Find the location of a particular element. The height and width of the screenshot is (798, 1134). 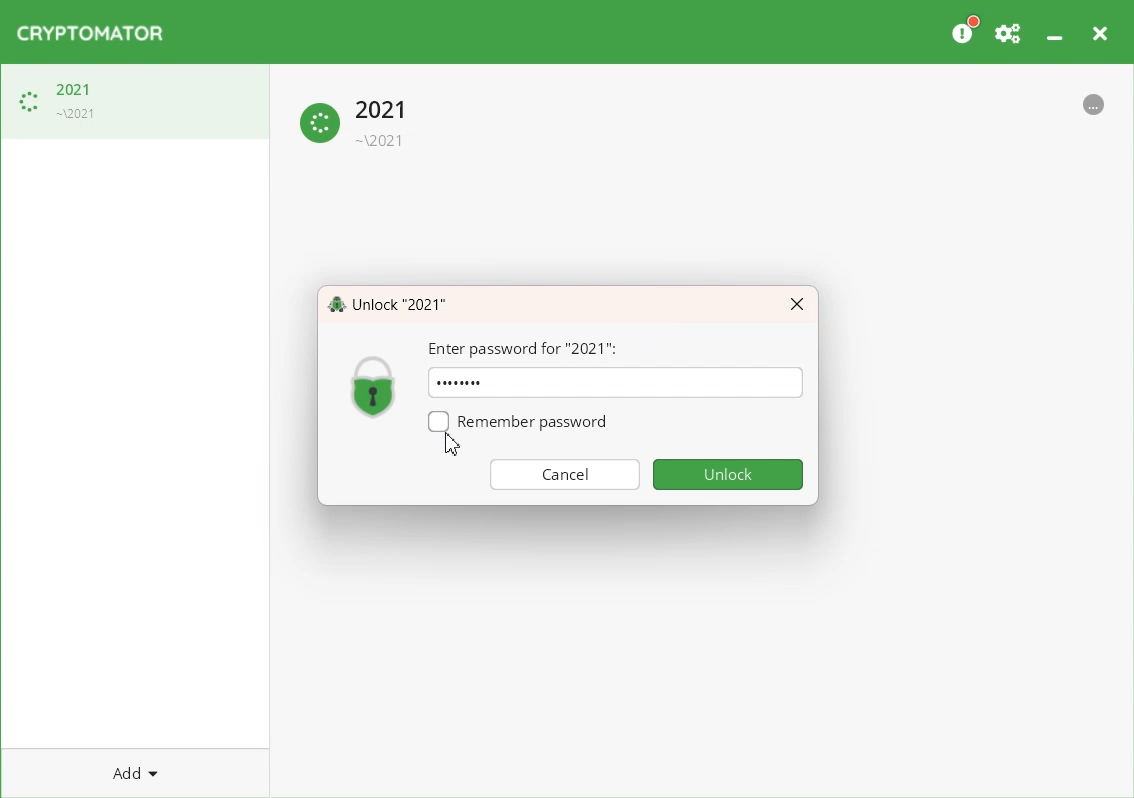

Close is located at coordinates (797, 305).